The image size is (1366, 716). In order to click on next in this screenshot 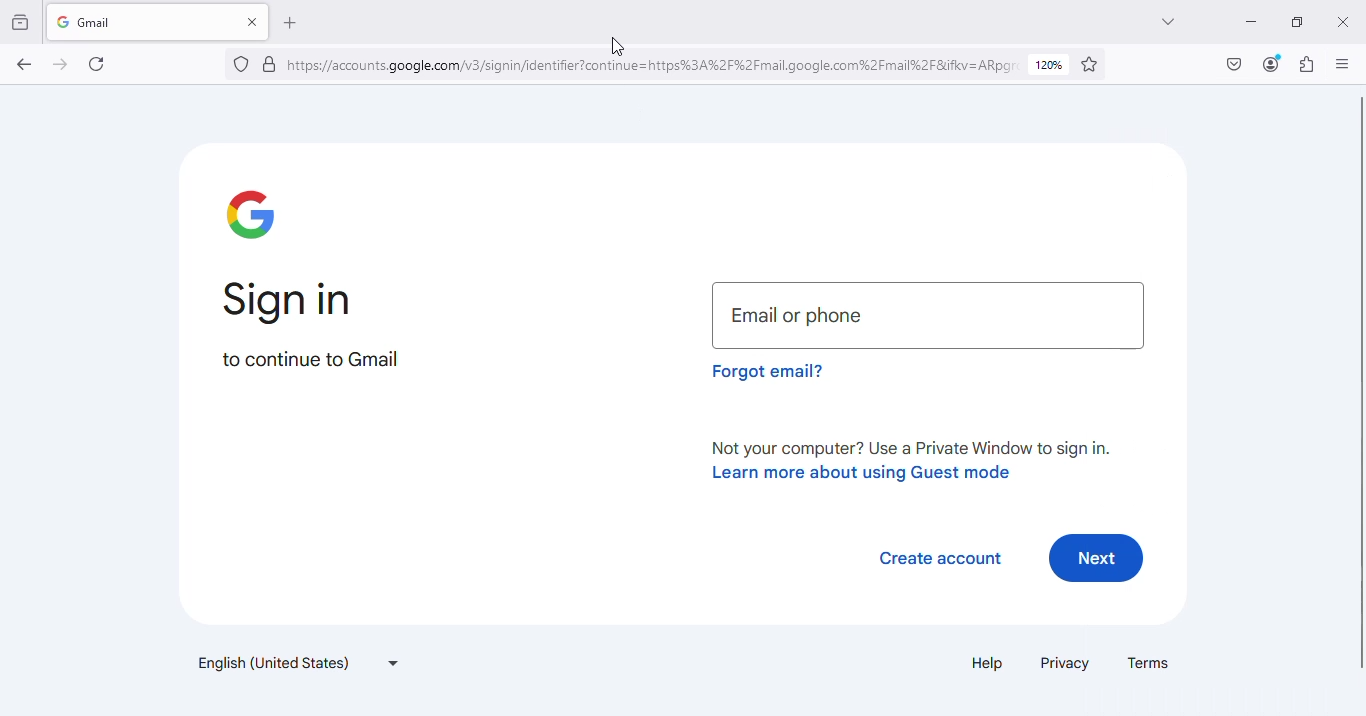, I will do `click(1095, 557)`.